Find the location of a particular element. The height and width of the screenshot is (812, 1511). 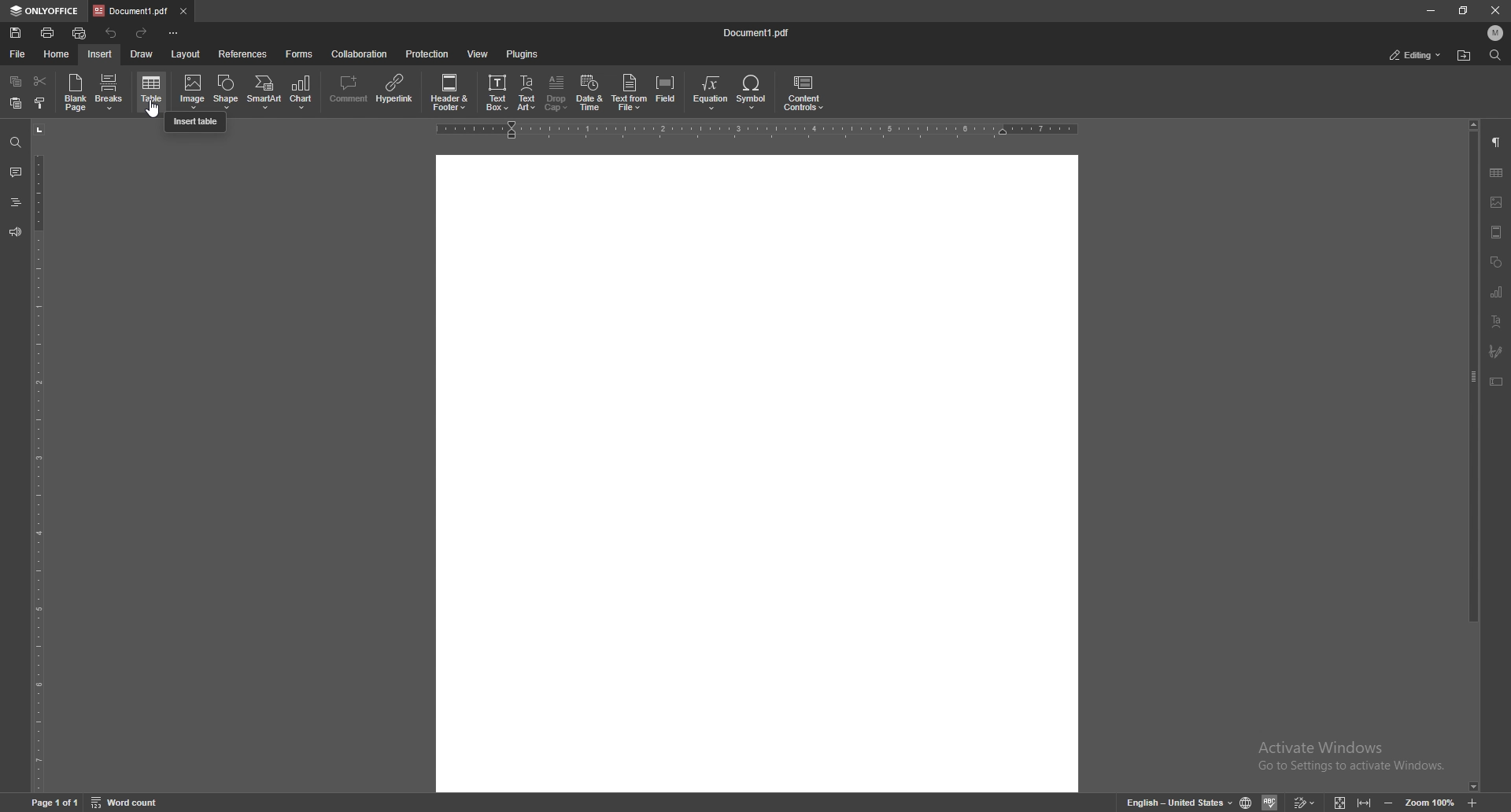

save is located at coordinates (17, 33).